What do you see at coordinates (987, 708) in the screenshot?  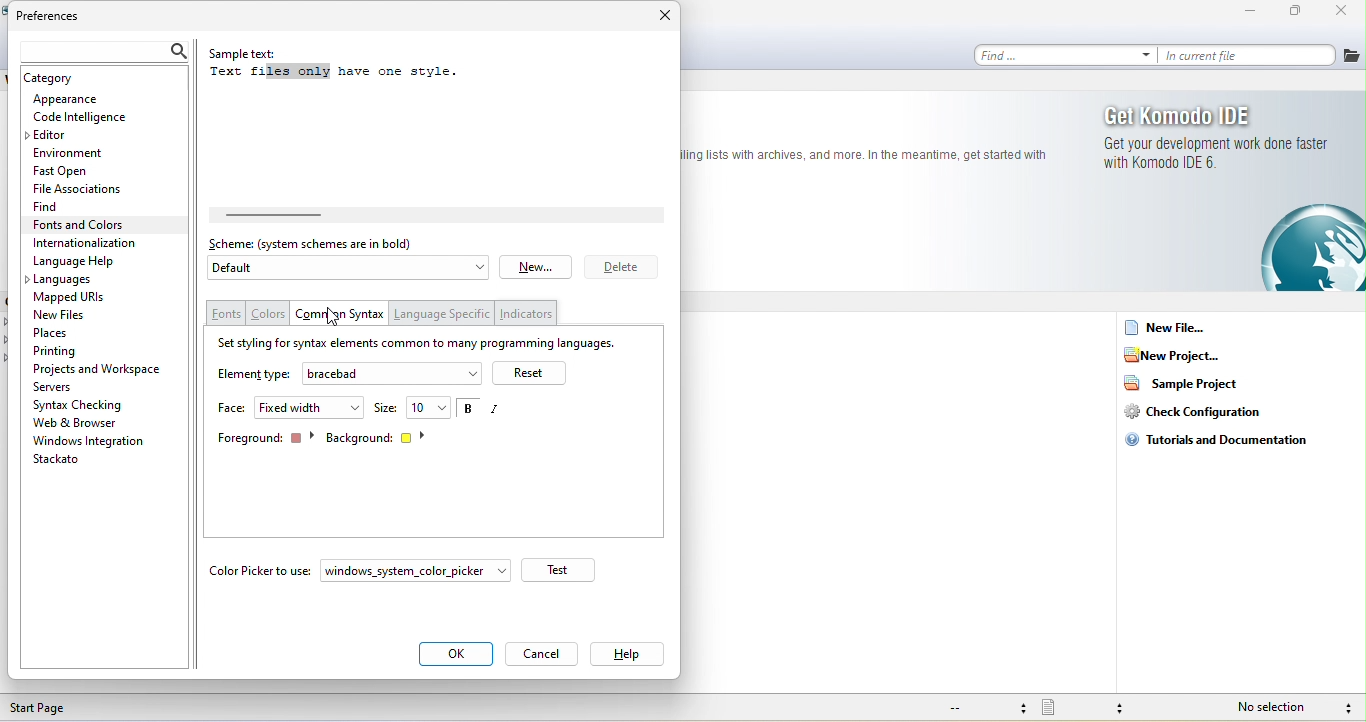 I see `file encoding` at bounding box center [987, 708].